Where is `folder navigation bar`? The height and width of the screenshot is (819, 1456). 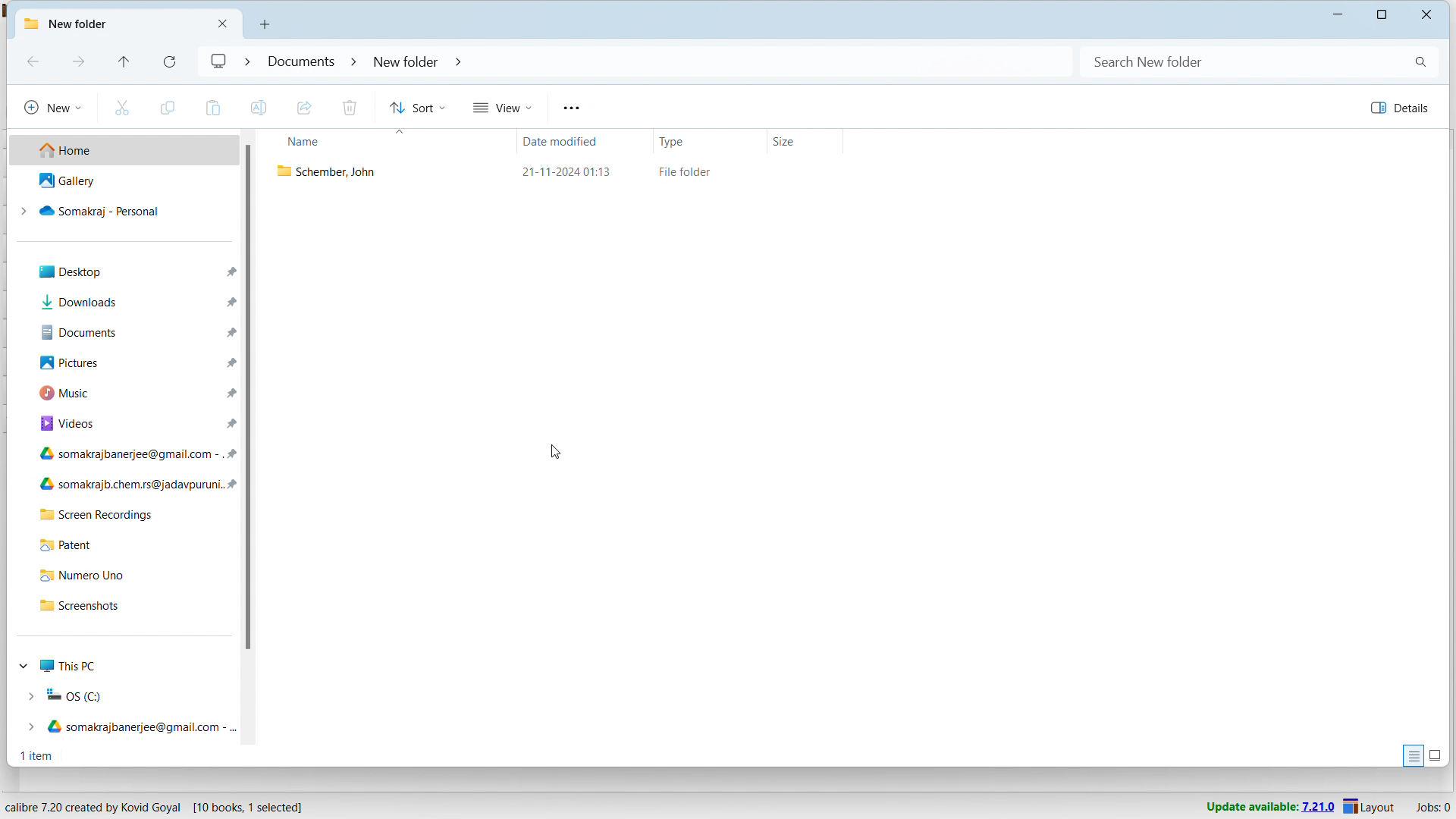 folder navigation bar is located at coordinates (463, 61).